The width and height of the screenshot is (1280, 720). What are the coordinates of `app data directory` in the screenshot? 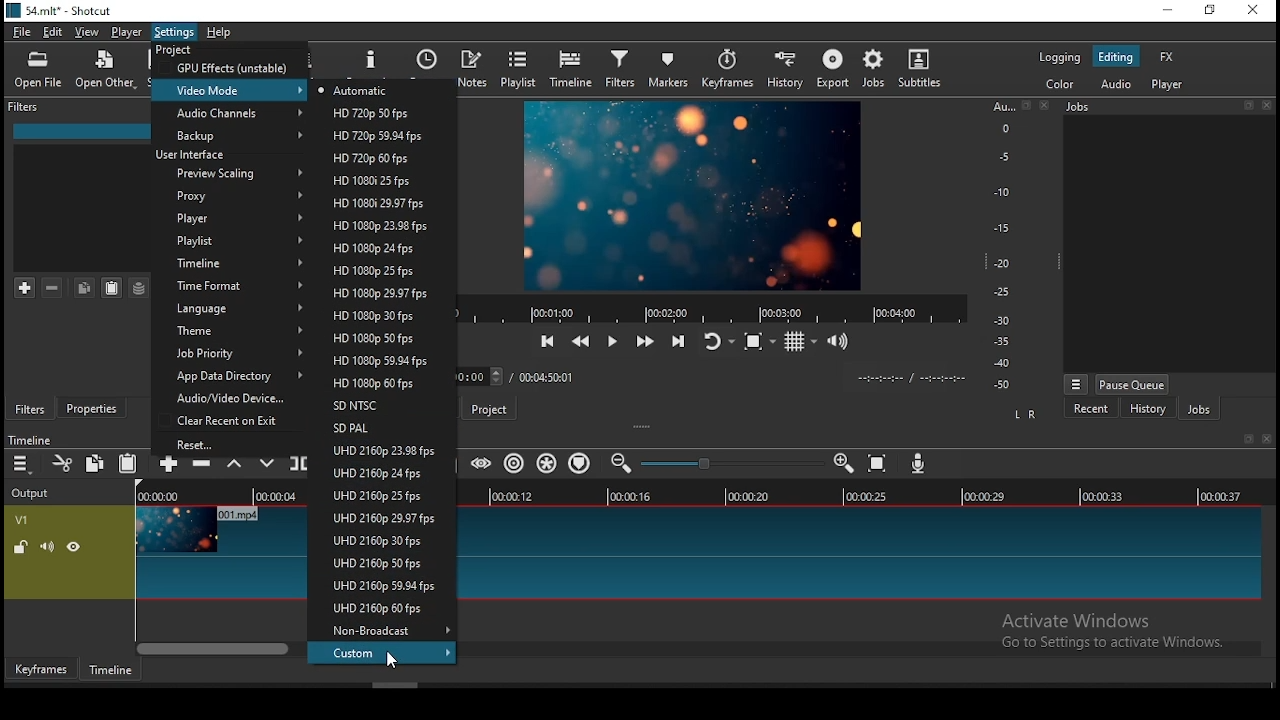 It's located at (230, 377).